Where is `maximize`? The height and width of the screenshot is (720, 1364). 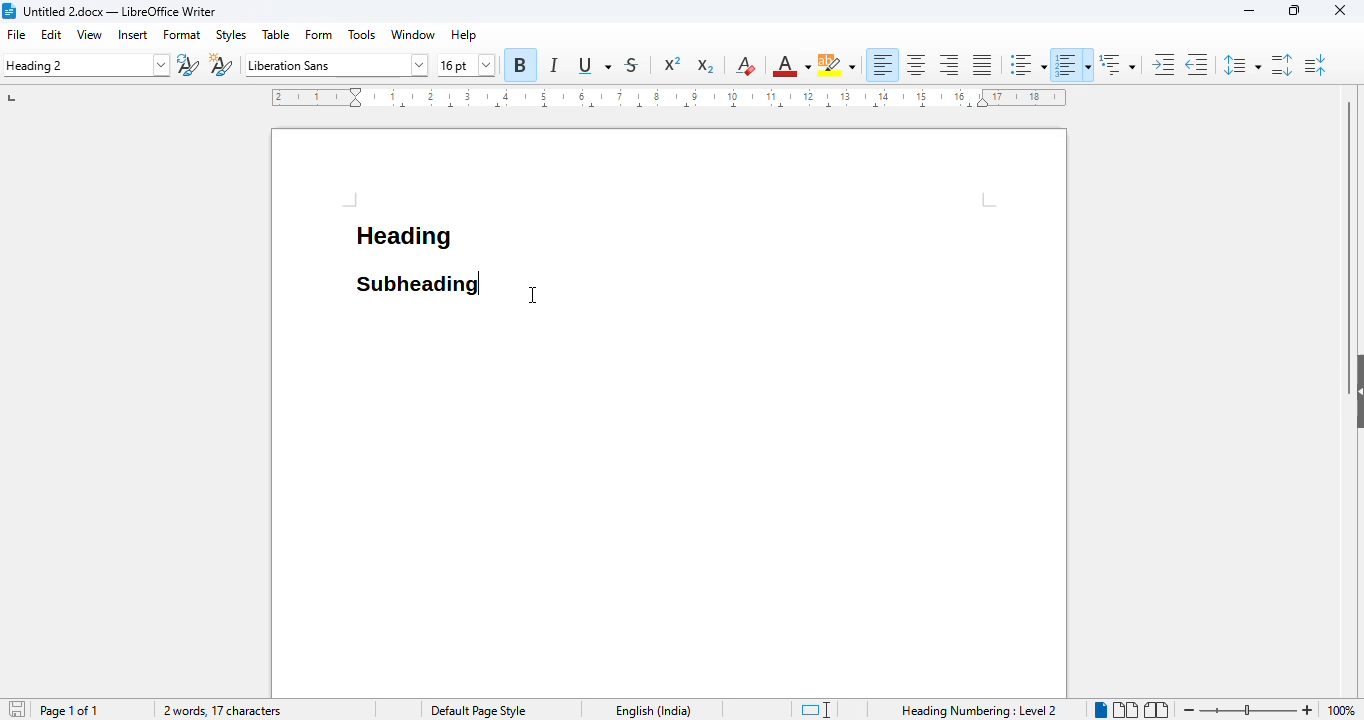
maximize is located at coordinates (1294, 9).